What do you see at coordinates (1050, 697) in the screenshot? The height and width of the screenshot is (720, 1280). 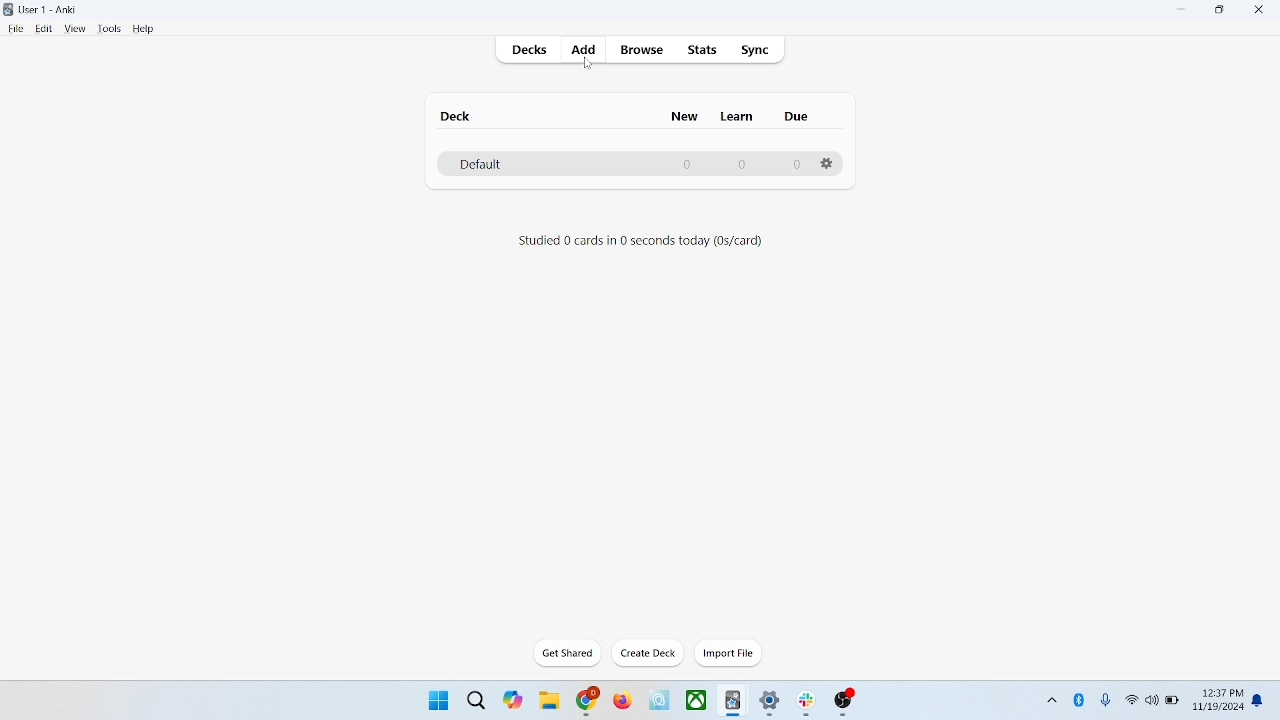 I see `show hidden icons` at bounding box center [1050, 697].